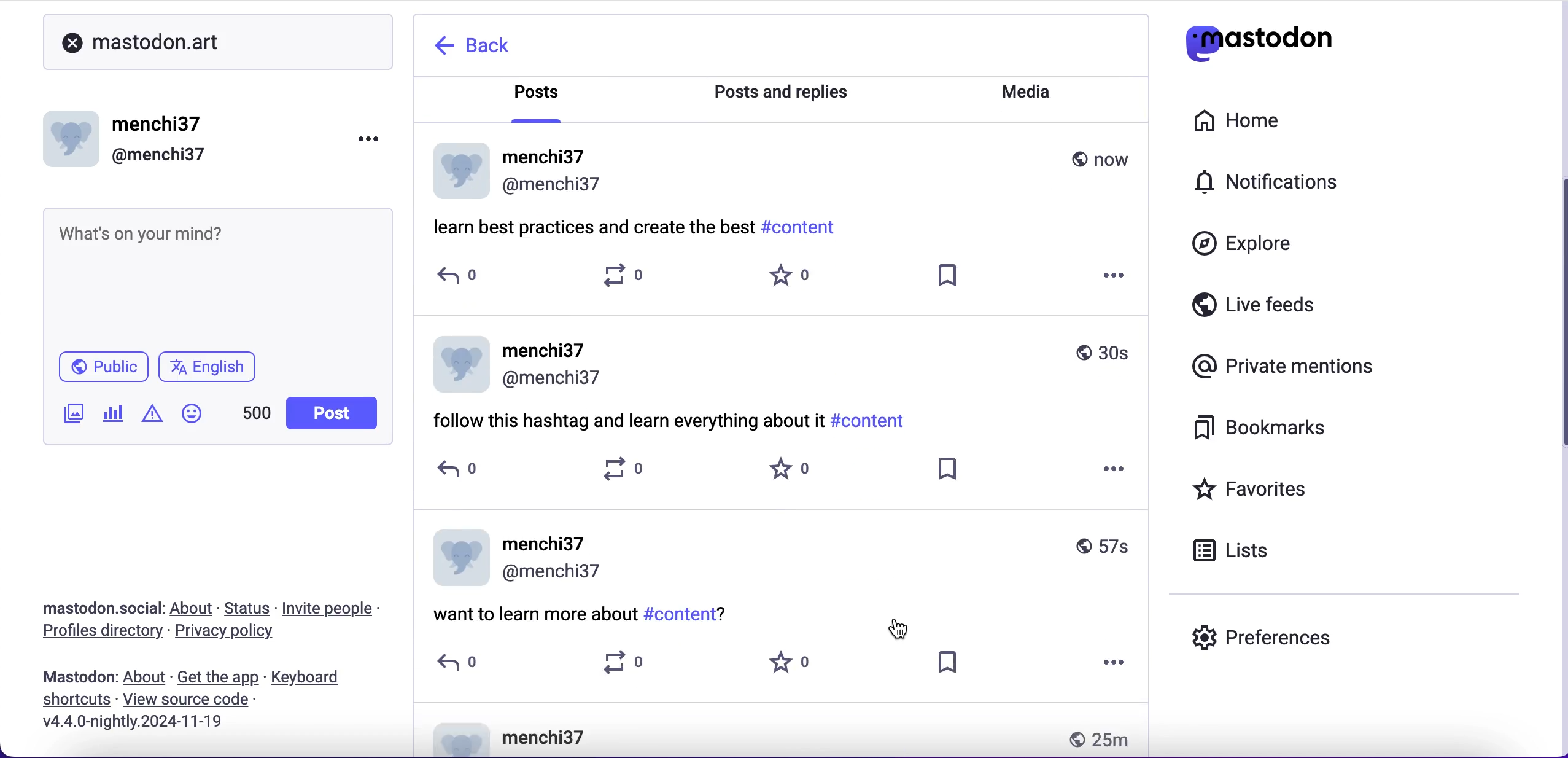 This screenshot has width=1568, height=758. I want to click on save, so click(955, 472).